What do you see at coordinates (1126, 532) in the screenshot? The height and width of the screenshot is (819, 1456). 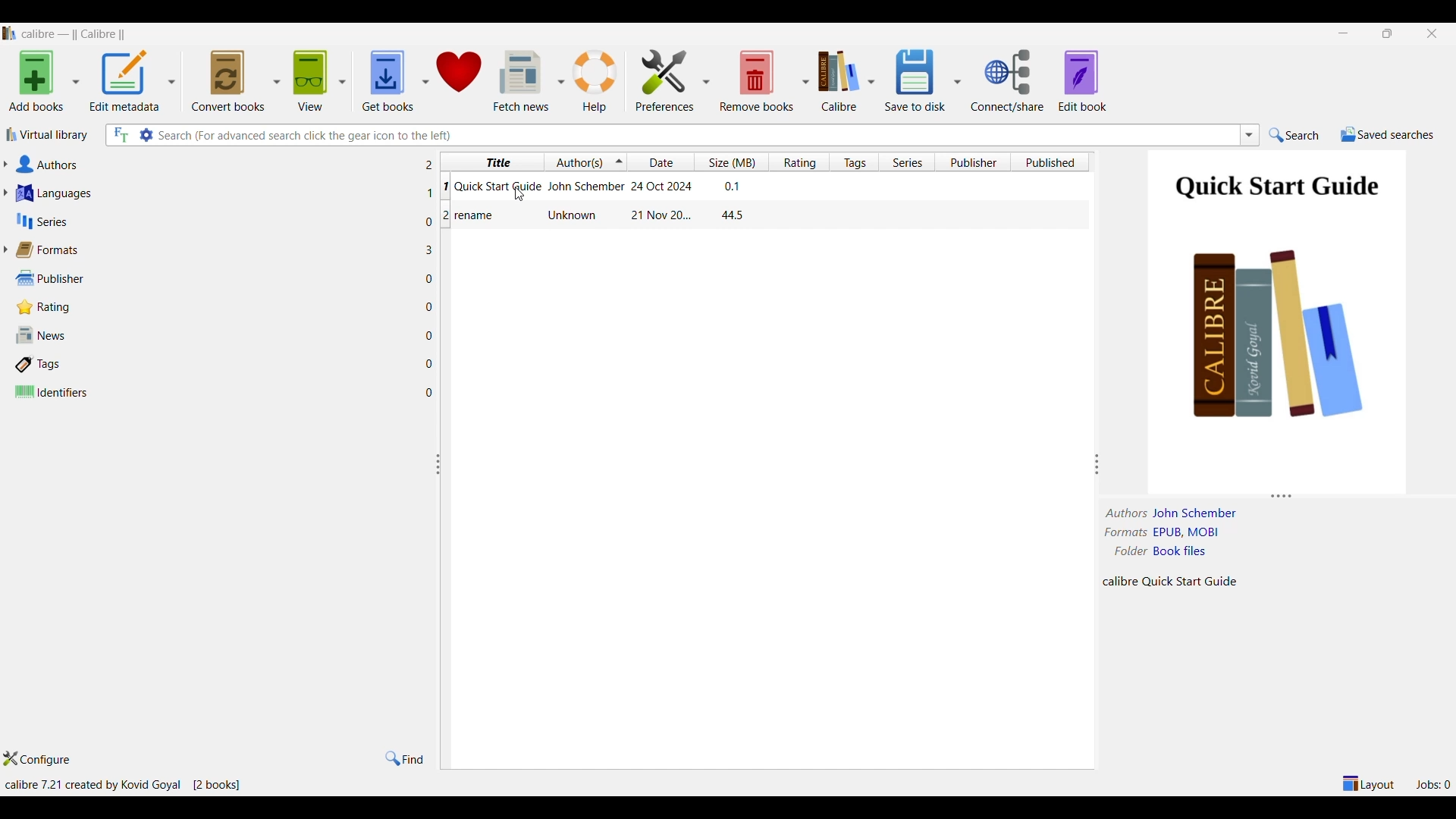 I see `formats` at bounding box center [1126, 532].